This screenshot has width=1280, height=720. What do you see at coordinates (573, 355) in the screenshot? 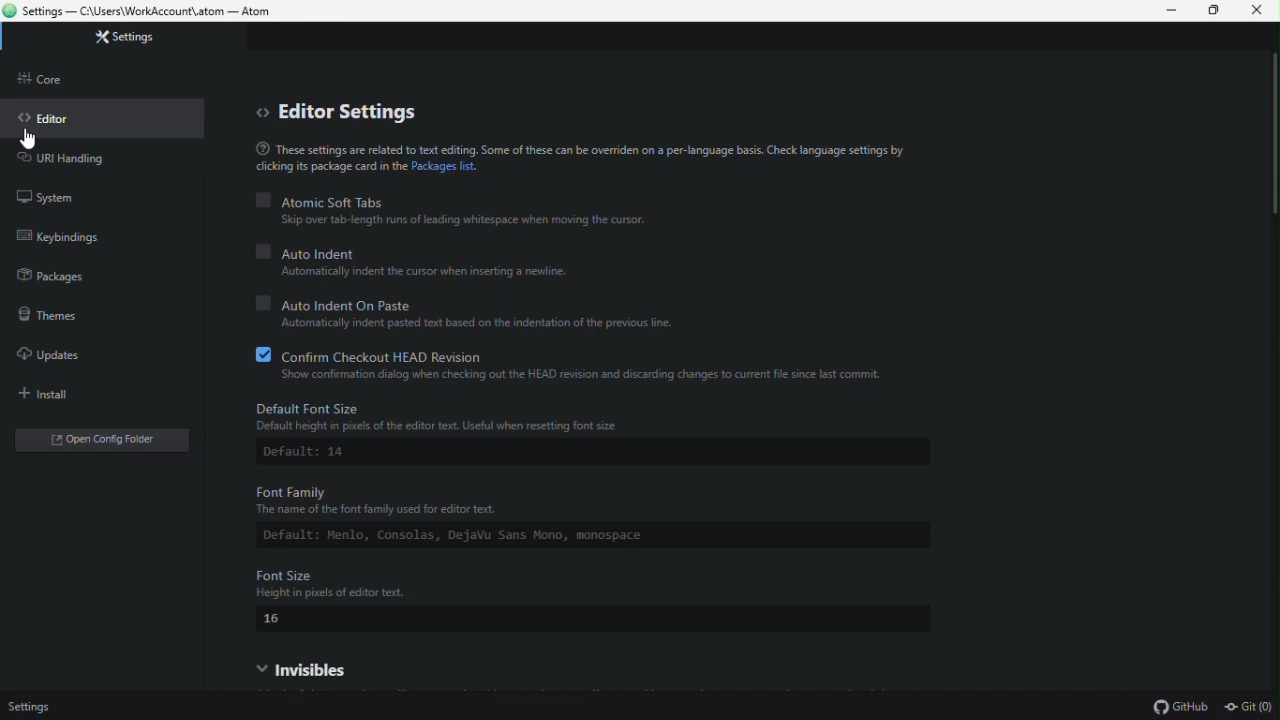
I see `confirm check out head revision` at bounding box center [573, 355].